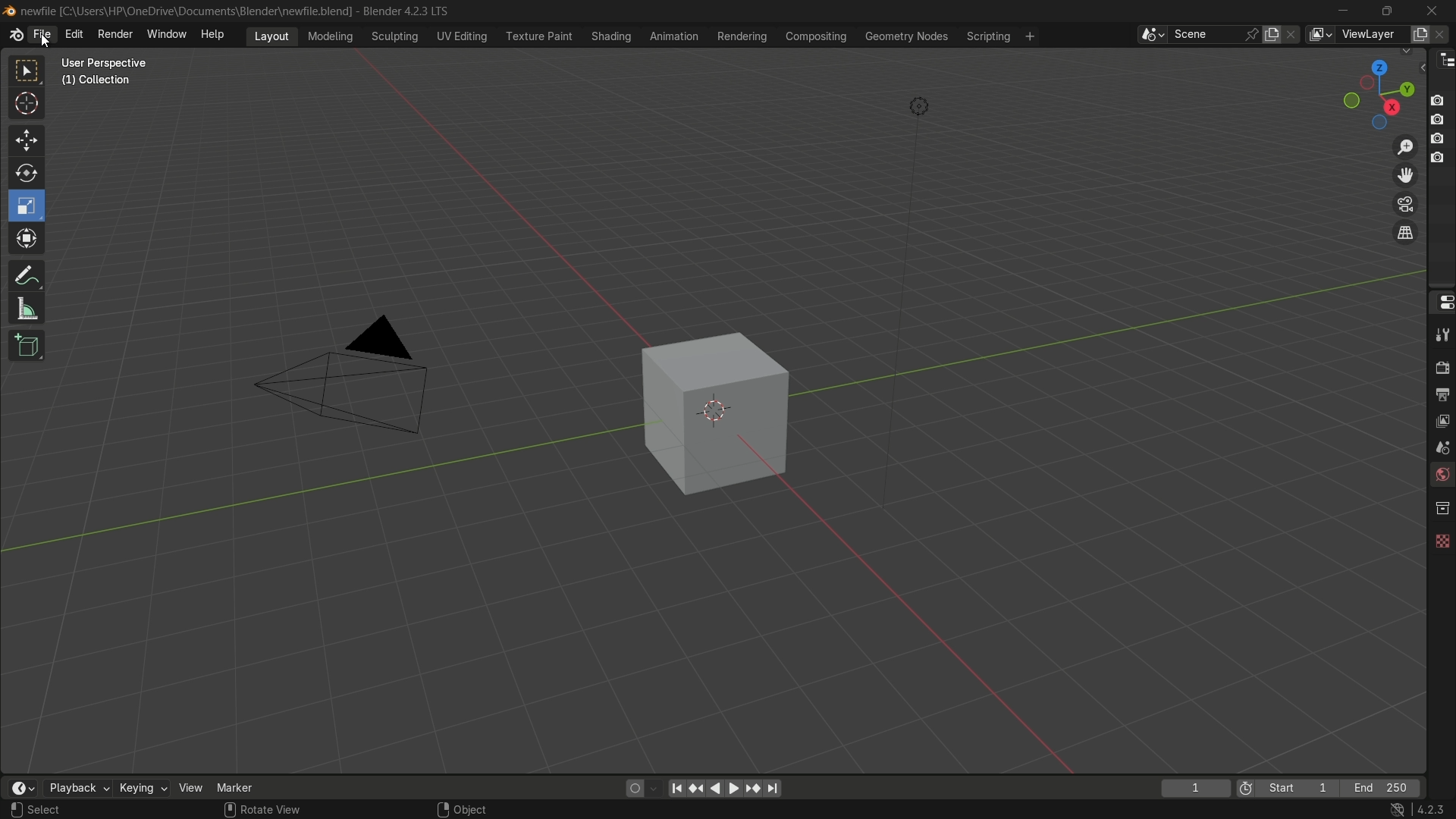  What do you see at coordinates (9, 10) in the screenshot?
I see `Blend` at bounding box center [9, 10].